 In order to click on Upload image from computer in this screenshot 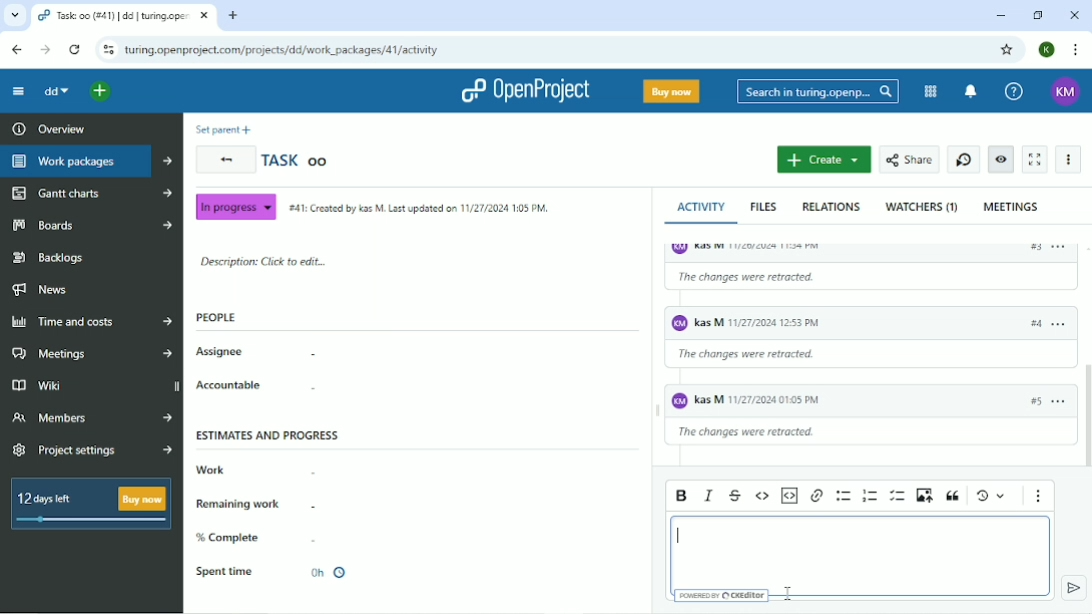, I will do `click(924, 495)`.